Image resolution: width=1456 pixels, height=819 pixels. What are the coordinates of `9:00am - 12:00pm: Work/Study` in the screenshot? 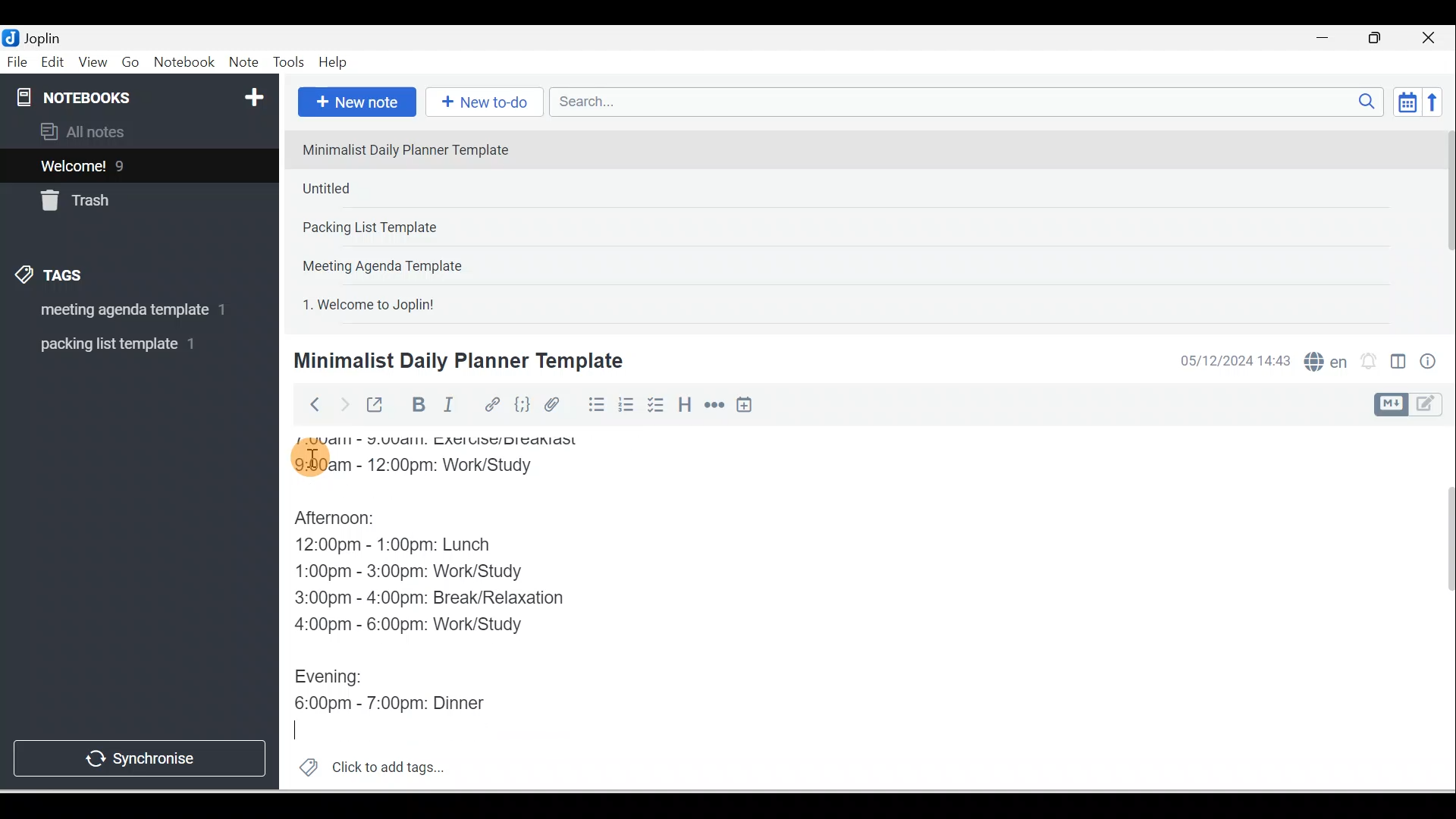 It's located at (426, 469).